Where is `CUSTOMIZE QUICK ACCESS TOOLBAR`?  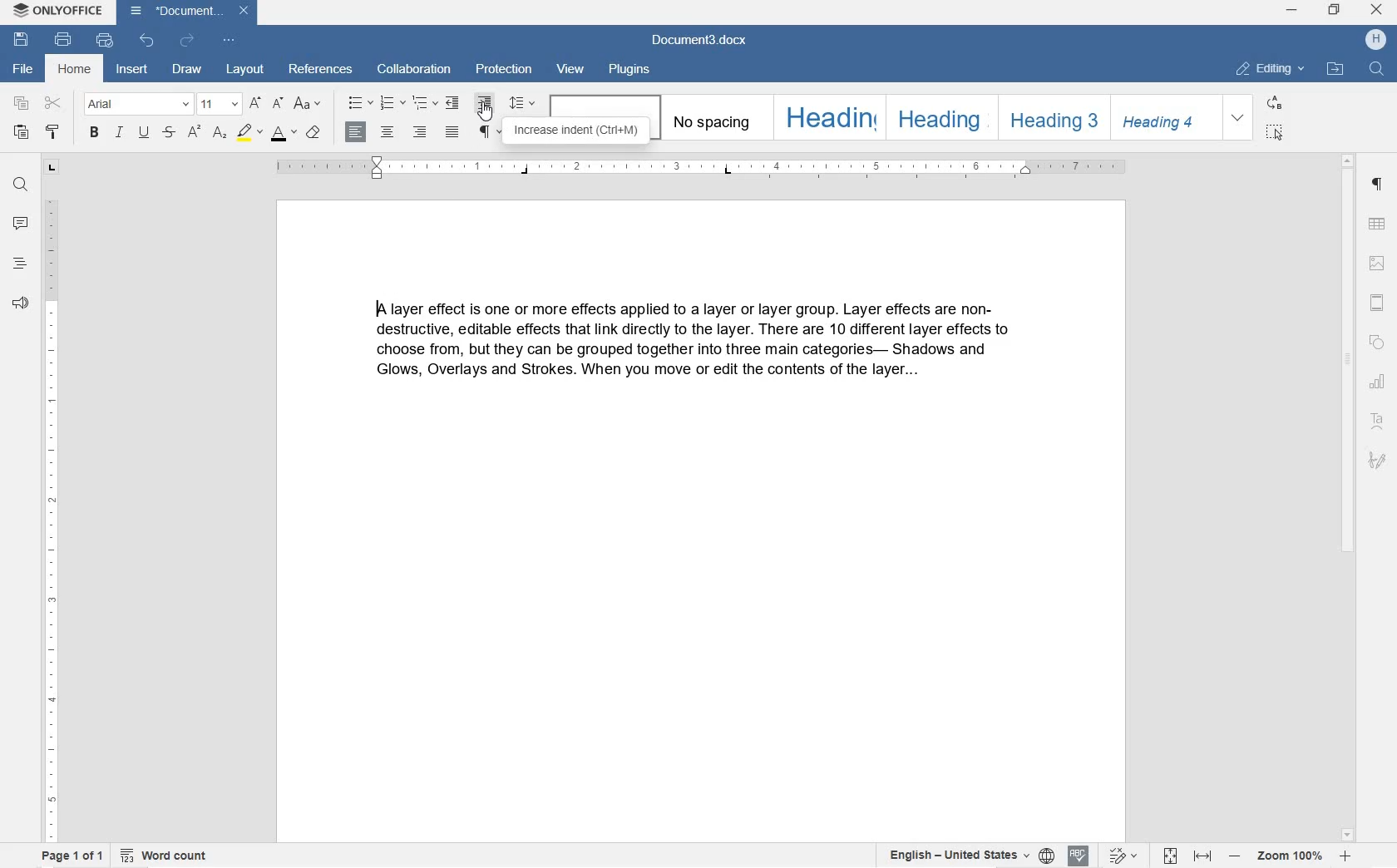
CUSTOMIZE QUICK ACCESS TOOLBAR is located at coordinates (227, 40).